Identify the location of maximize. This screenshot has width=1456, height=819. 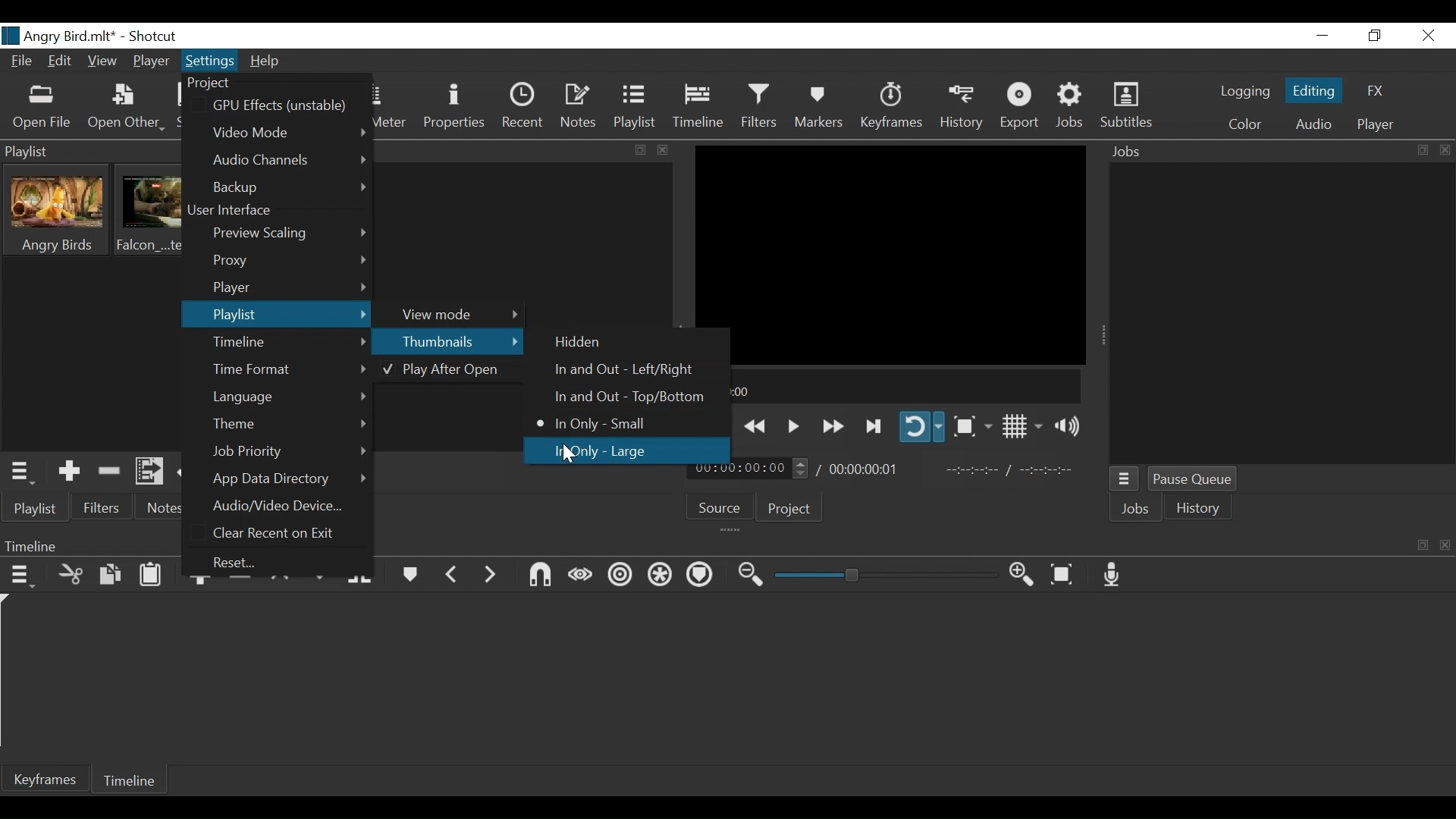
(641, 150).